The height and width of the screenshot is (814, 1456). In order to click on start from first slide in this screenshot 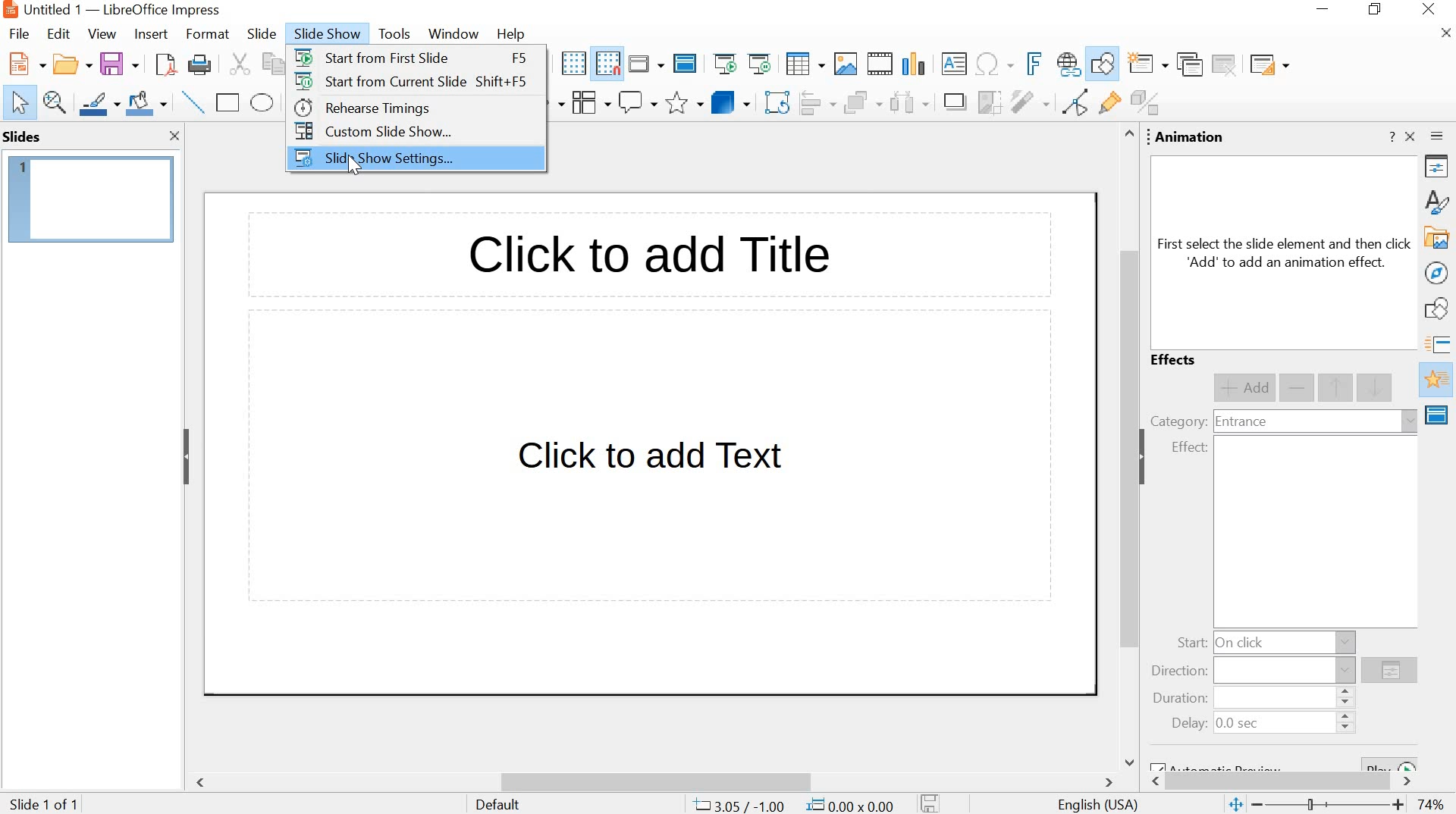, I will do `click(375, 56)`.